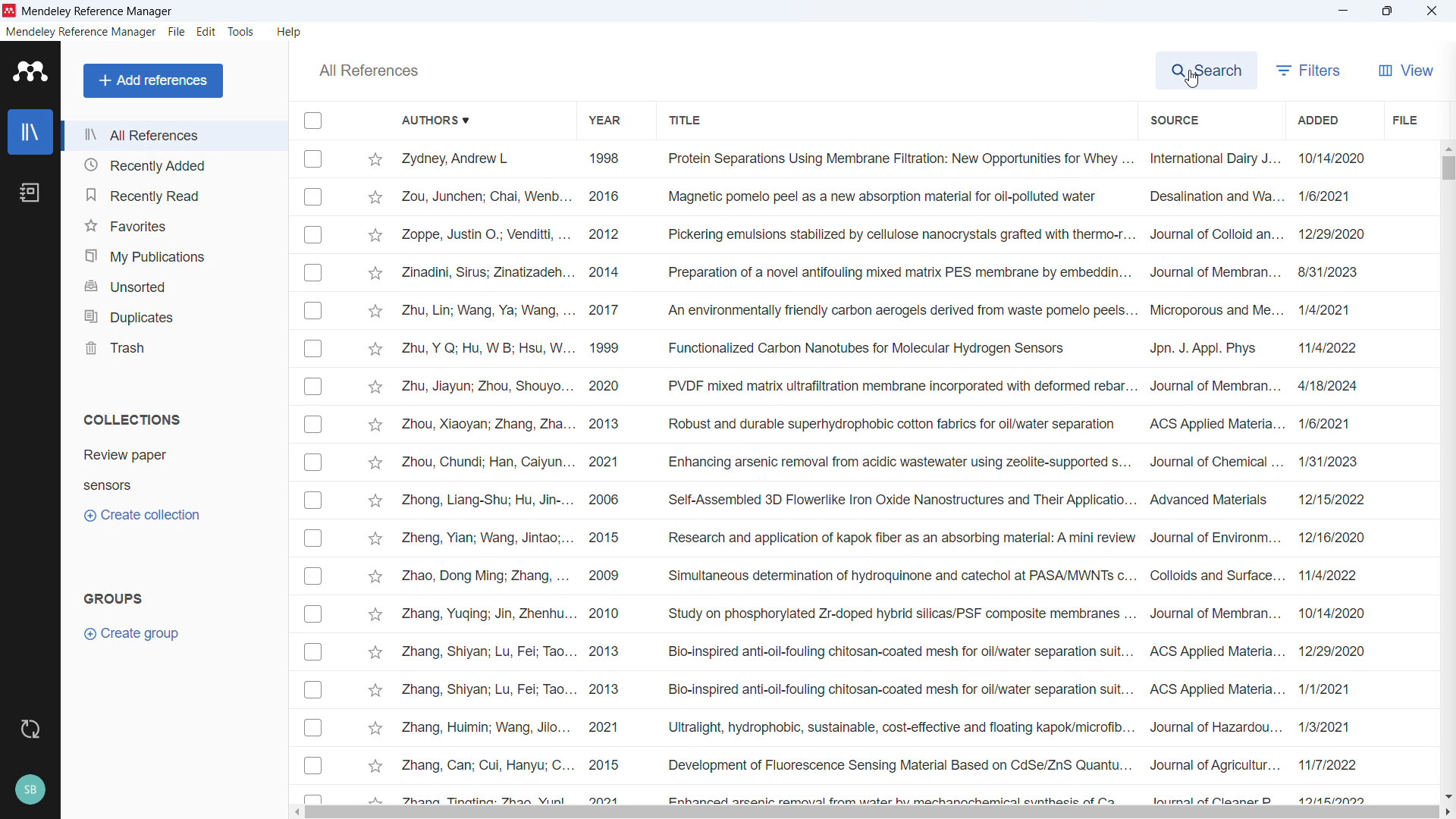 This screenshot has width=1456, height=819. What do you see at coordinates (133, 418) in the screenshot?
I see `Collections ` at bounding box center [133, 418].